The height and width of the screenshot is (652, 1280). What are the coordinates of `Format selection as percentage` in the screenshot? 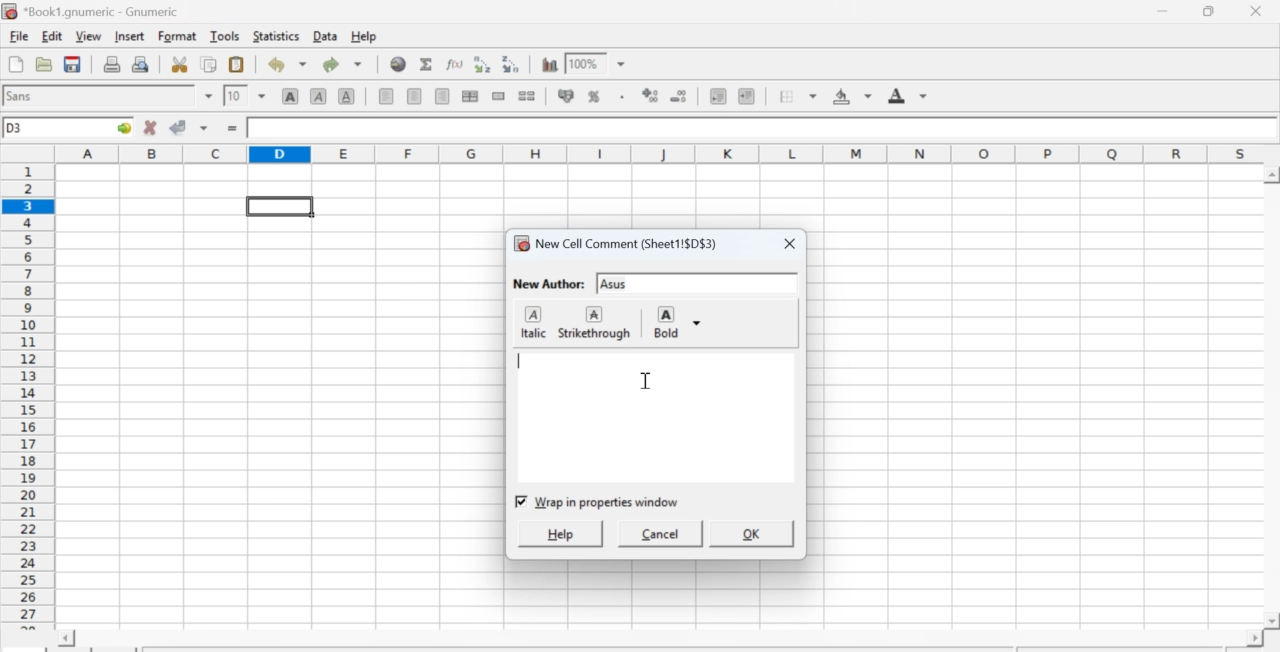 It's located at (594, 95).